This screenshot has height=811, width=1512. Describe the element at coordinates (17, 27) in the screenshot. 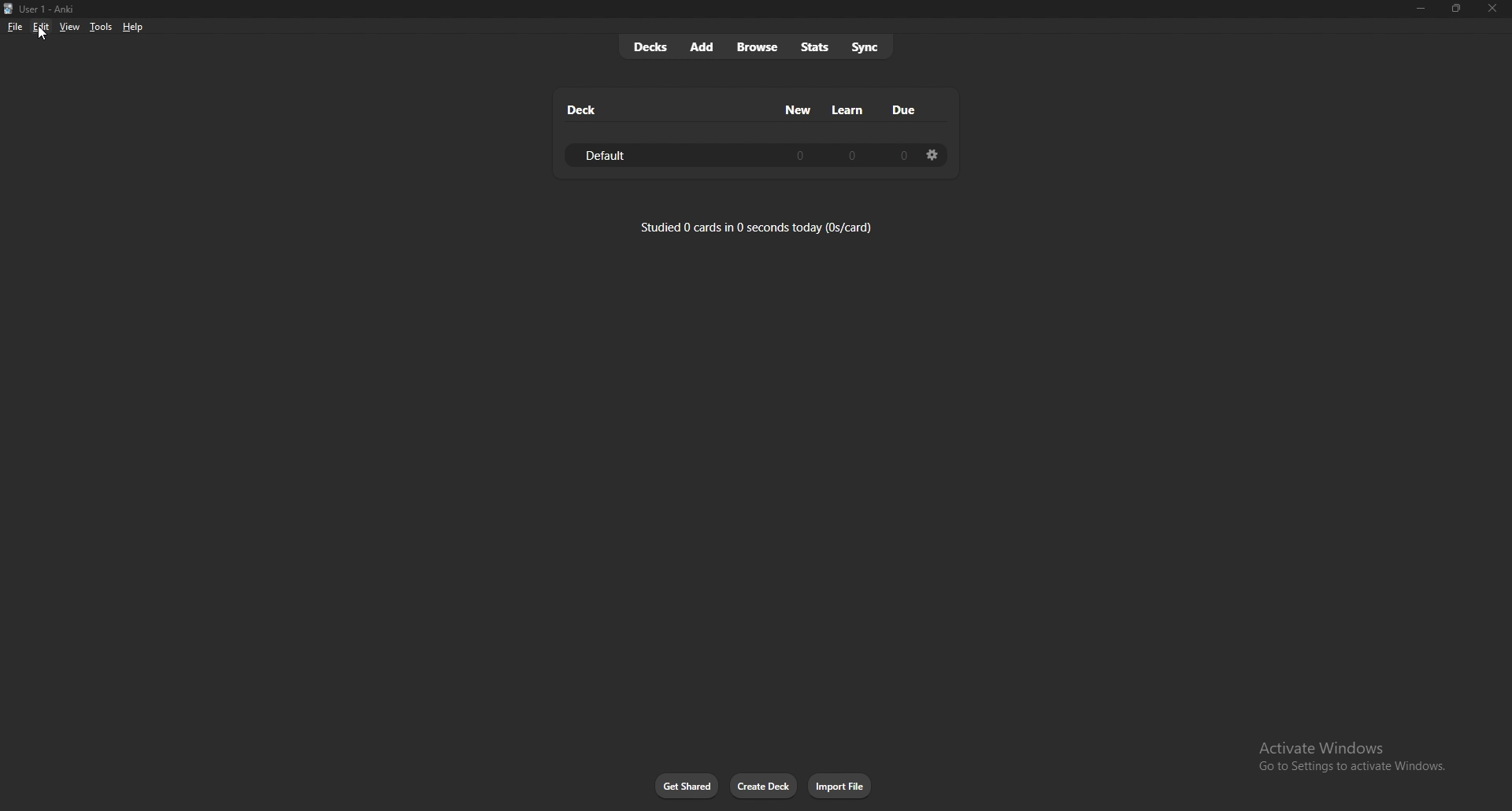

I see `file` at that location.